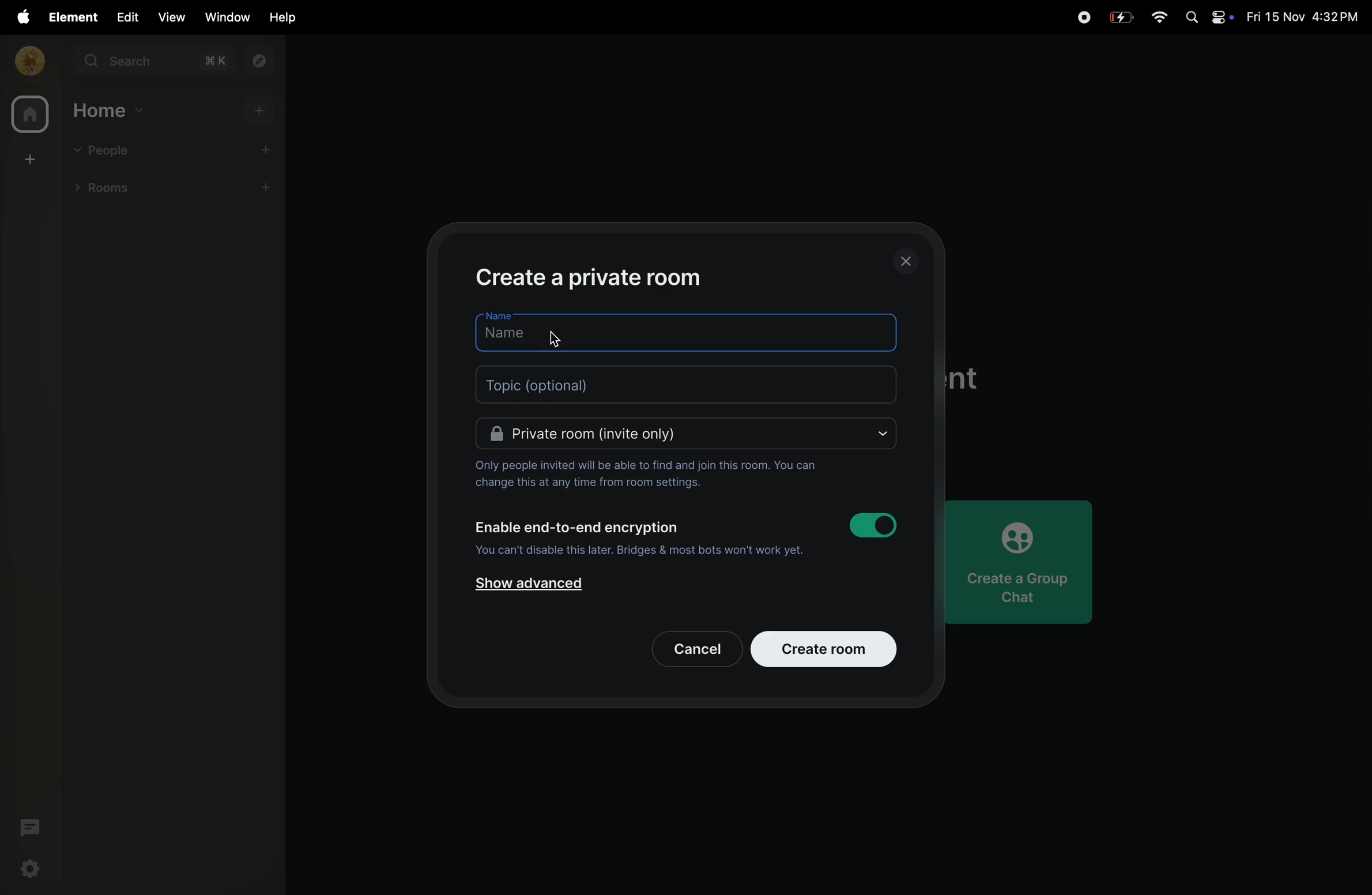 The image size is (1372, 895). I want to click on name , so click(689, 334).